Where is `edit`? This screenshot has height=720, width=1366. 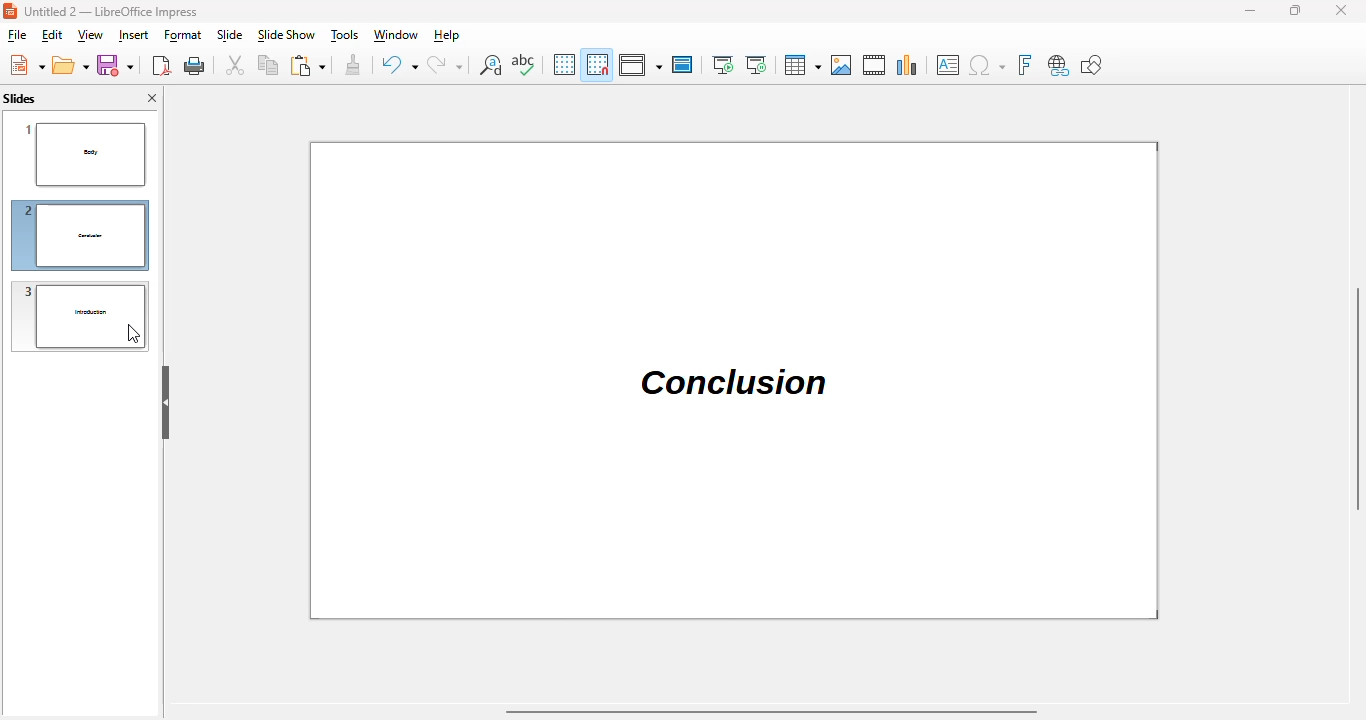
edit is located at coordinates (53, 35).